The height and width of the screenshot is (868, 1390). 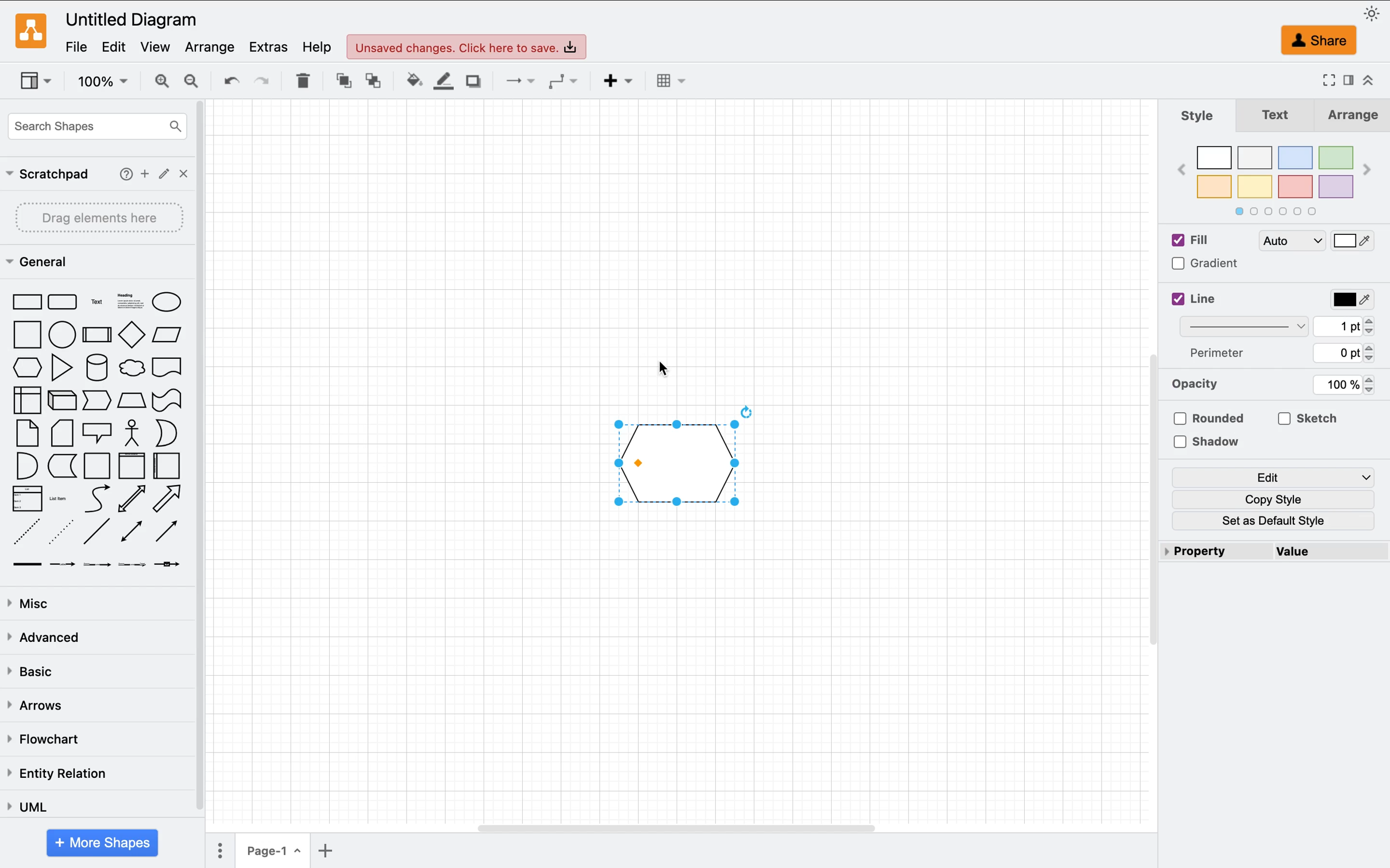 I want to click on directional arrow, so click(x=167, y=499).